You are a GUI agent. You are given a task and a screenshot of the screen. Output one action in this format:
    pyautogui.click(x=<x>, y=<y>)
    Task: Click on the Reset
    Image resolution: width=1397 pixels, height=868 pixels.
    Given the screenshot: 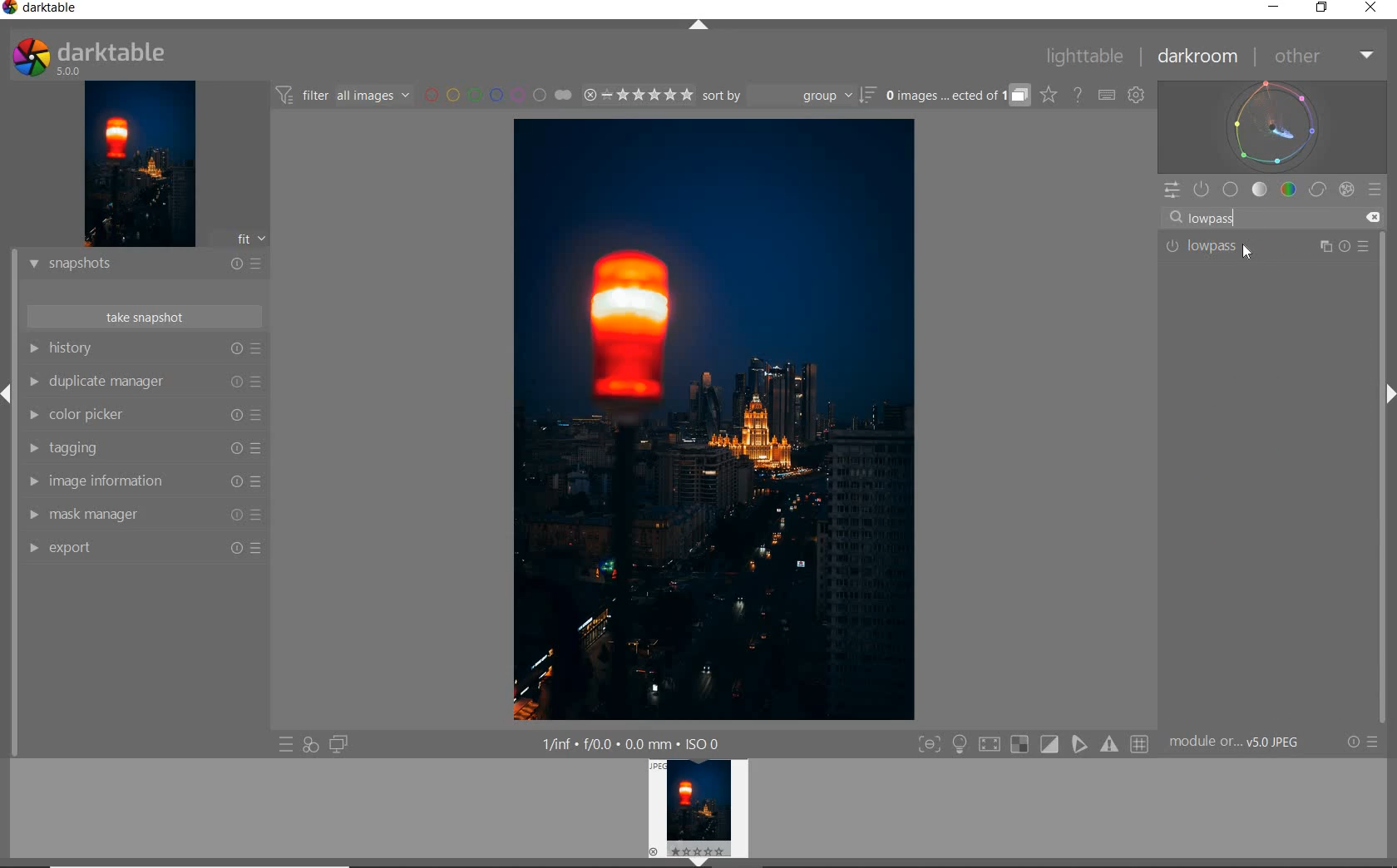 What is the action you would take?
    pyautogui.click(x=234, y=516)
    